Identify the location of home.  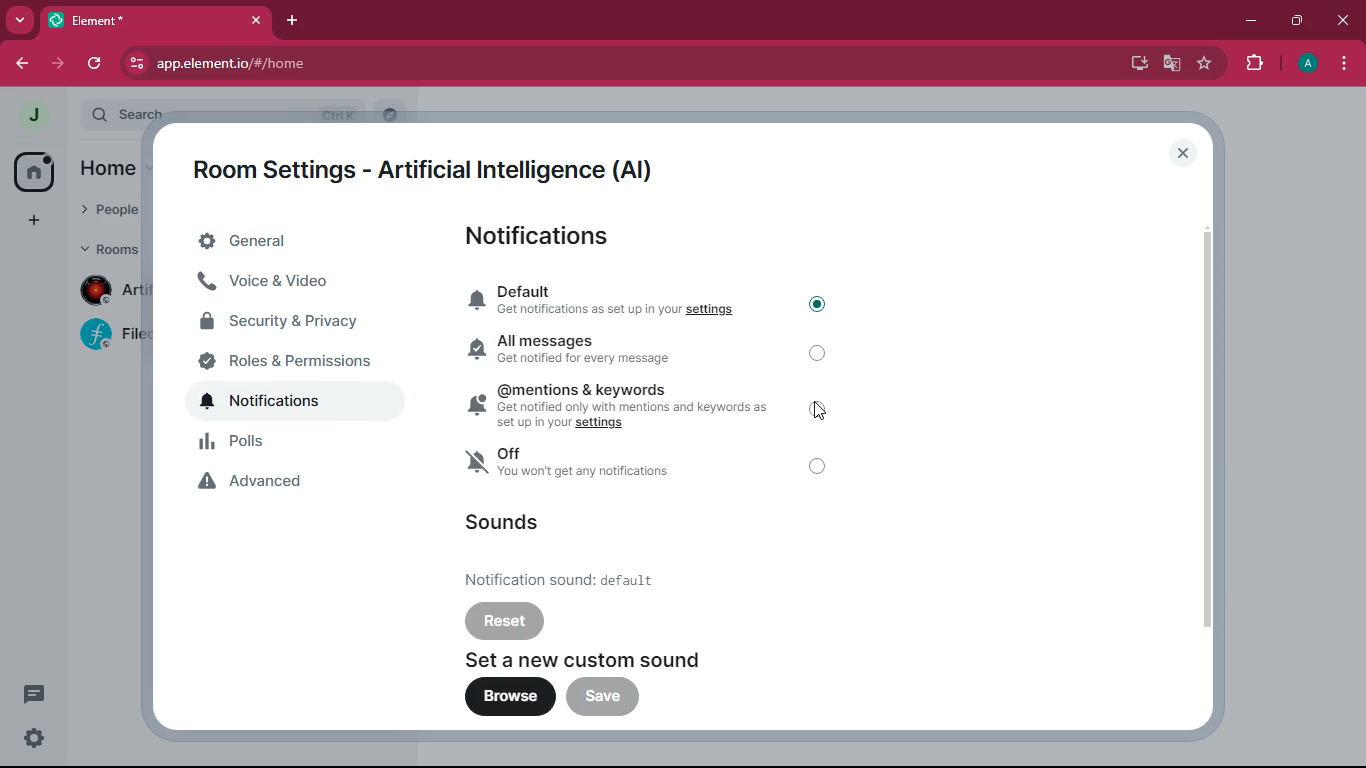
(108, 168).